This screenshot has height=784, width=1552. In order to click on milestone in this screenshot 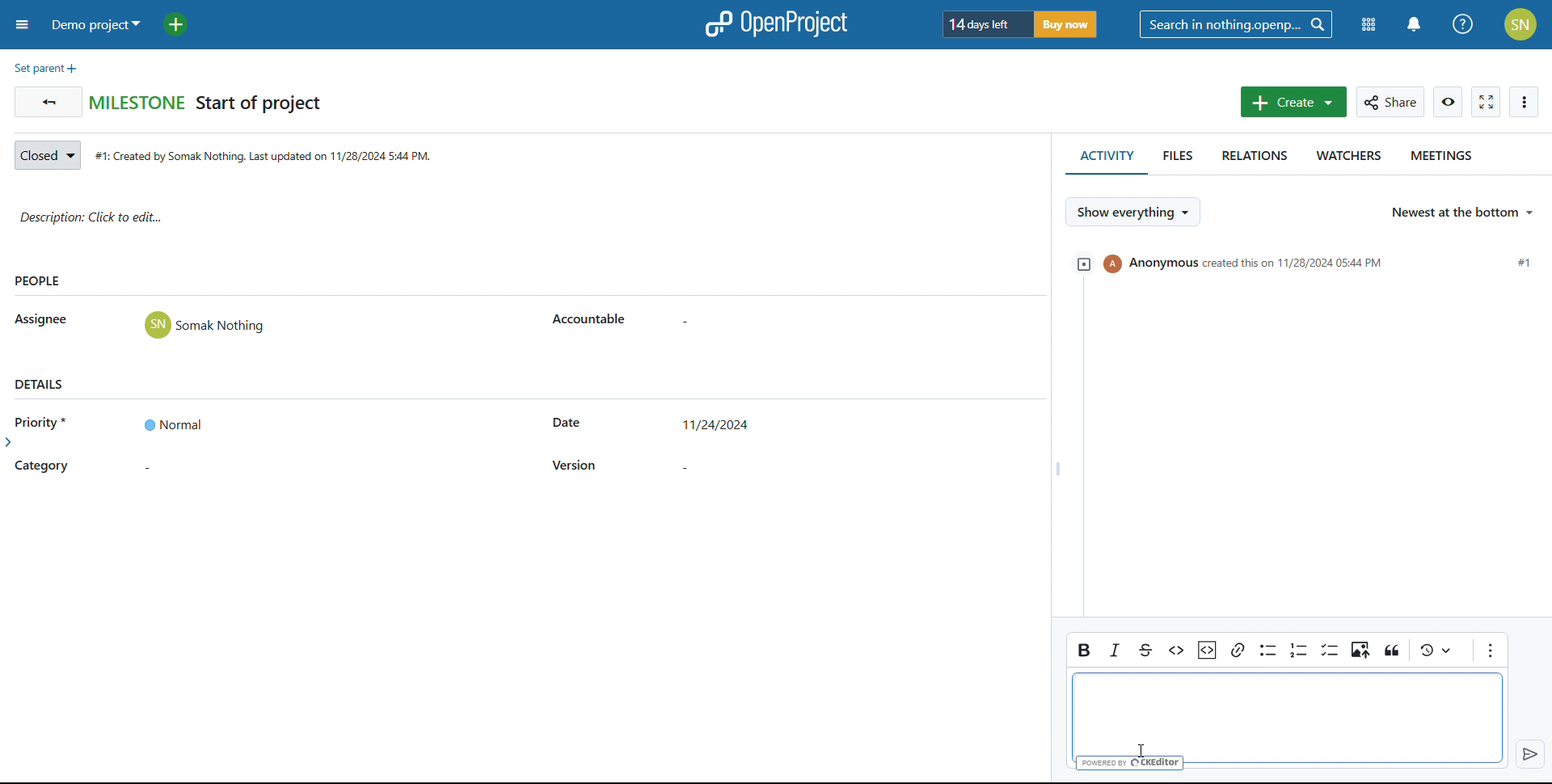, I will do `click(137, 101)`.